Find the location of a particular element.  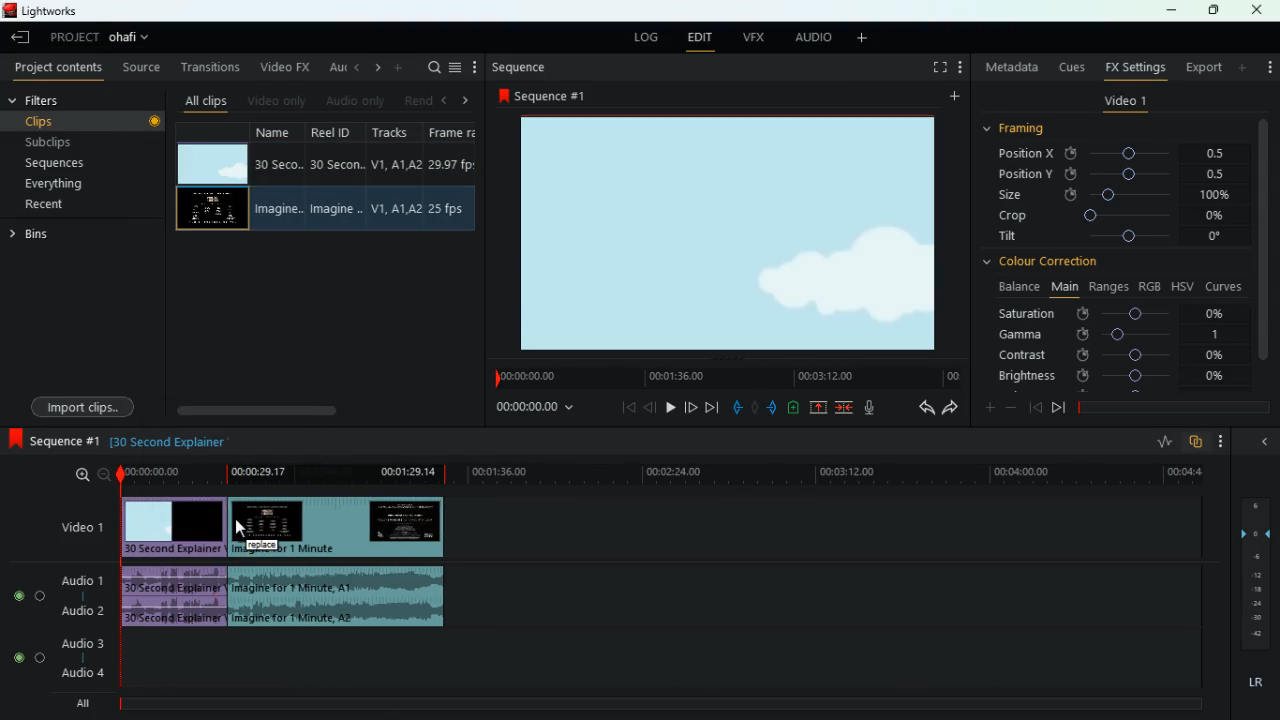

reel id is located at coordinates (339, 178).